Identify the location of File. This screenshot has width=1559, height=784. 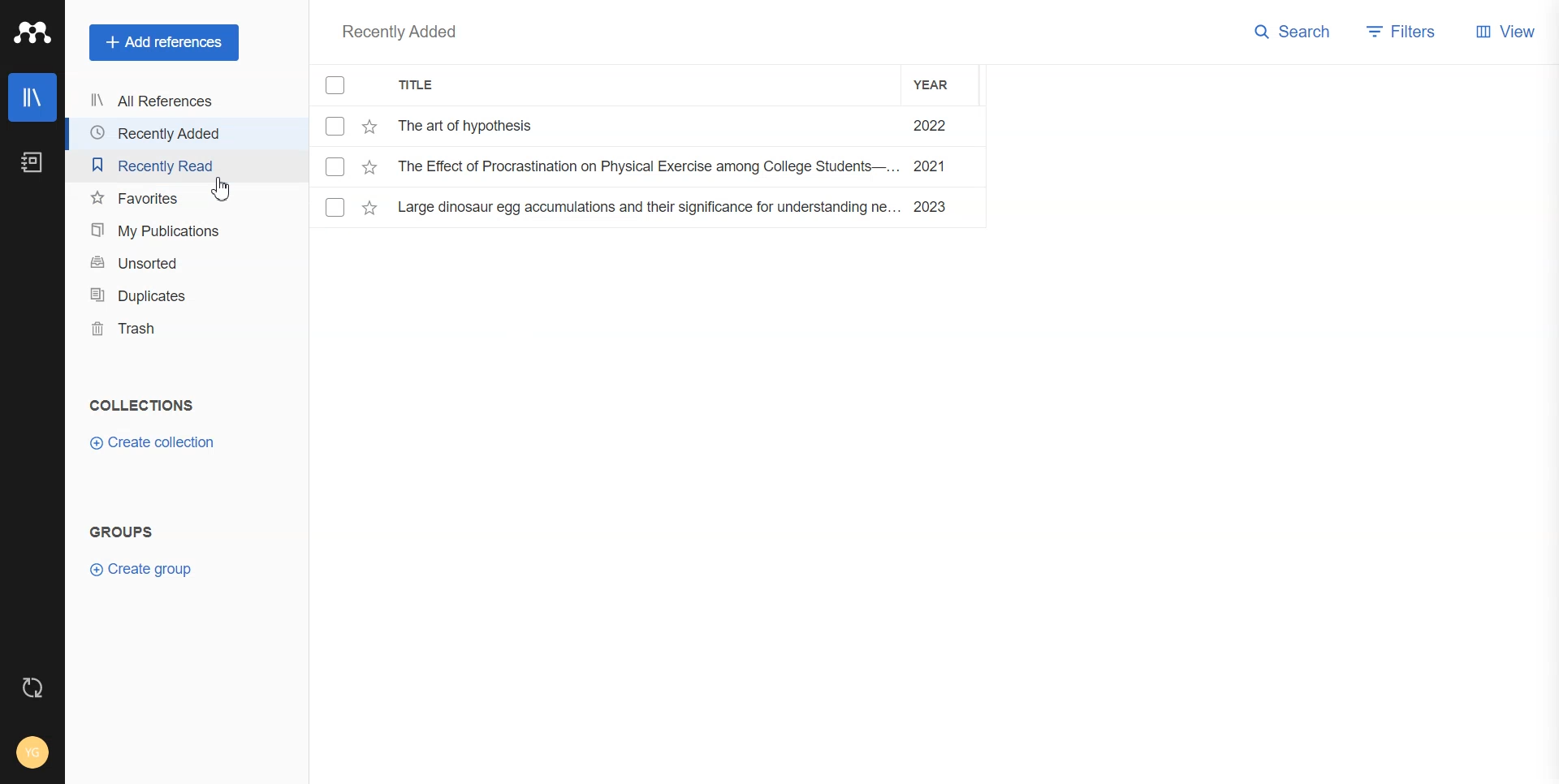
(649, 126).